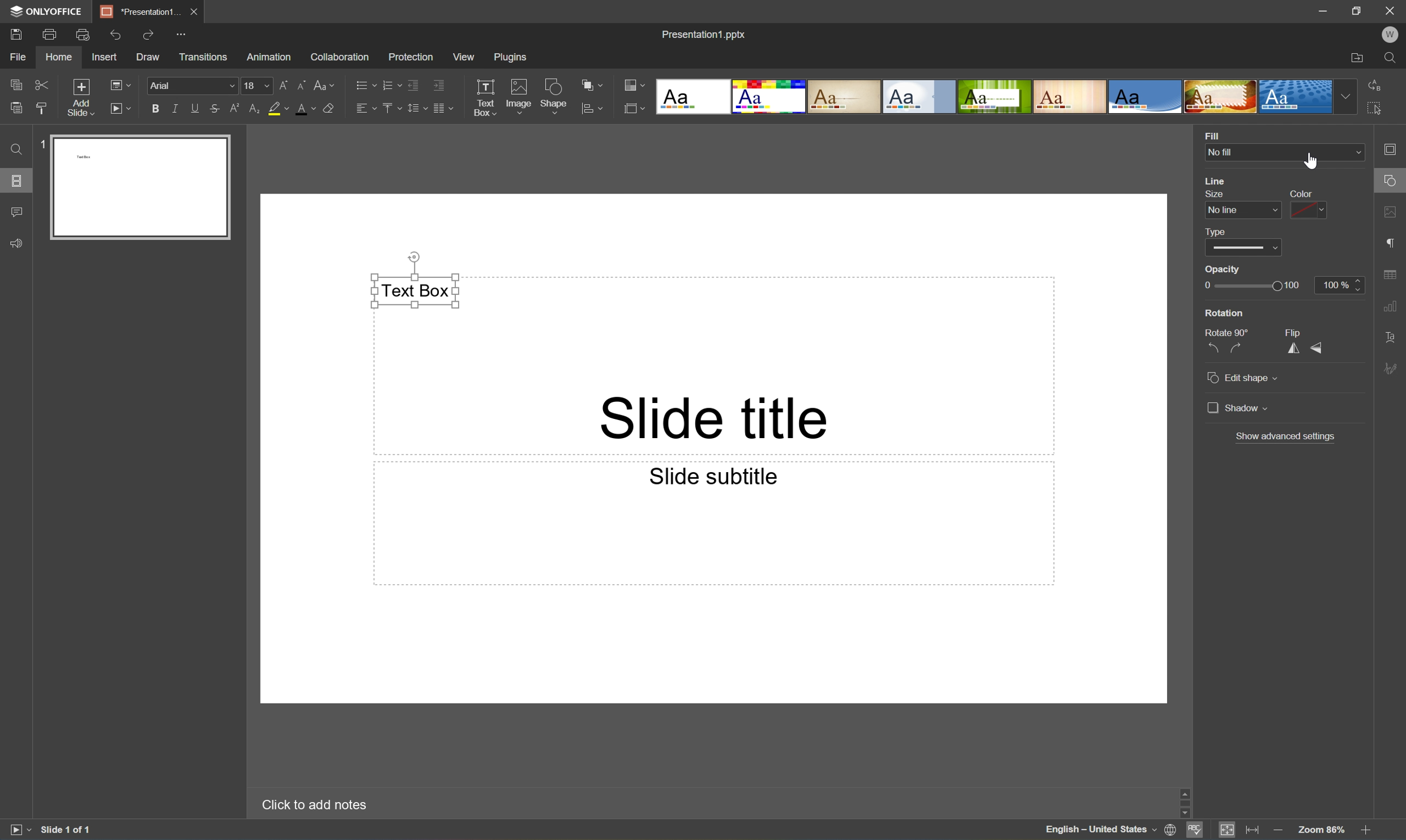  Describe the element at coordinates (511, 57) in the screenshot. I see `Plugins` at that location.